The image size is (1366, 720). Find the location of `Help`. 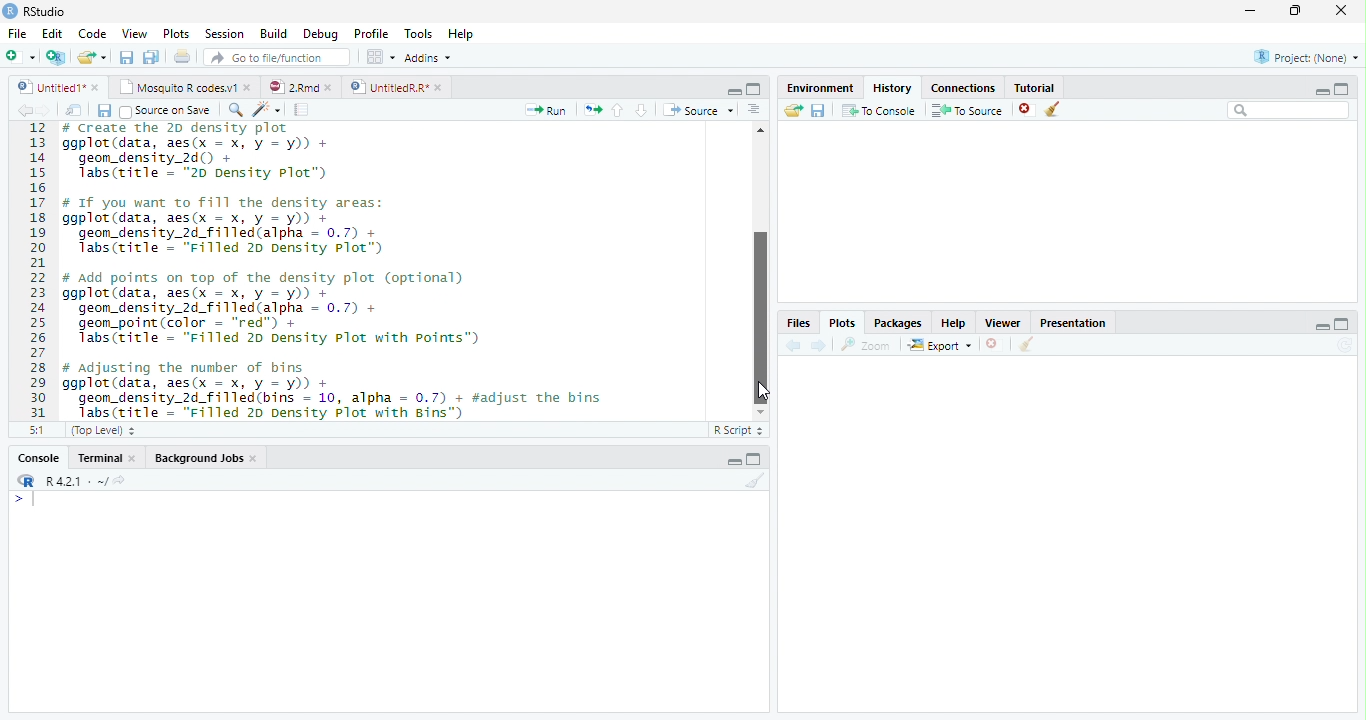

Help is located at coordinates (460, 35).